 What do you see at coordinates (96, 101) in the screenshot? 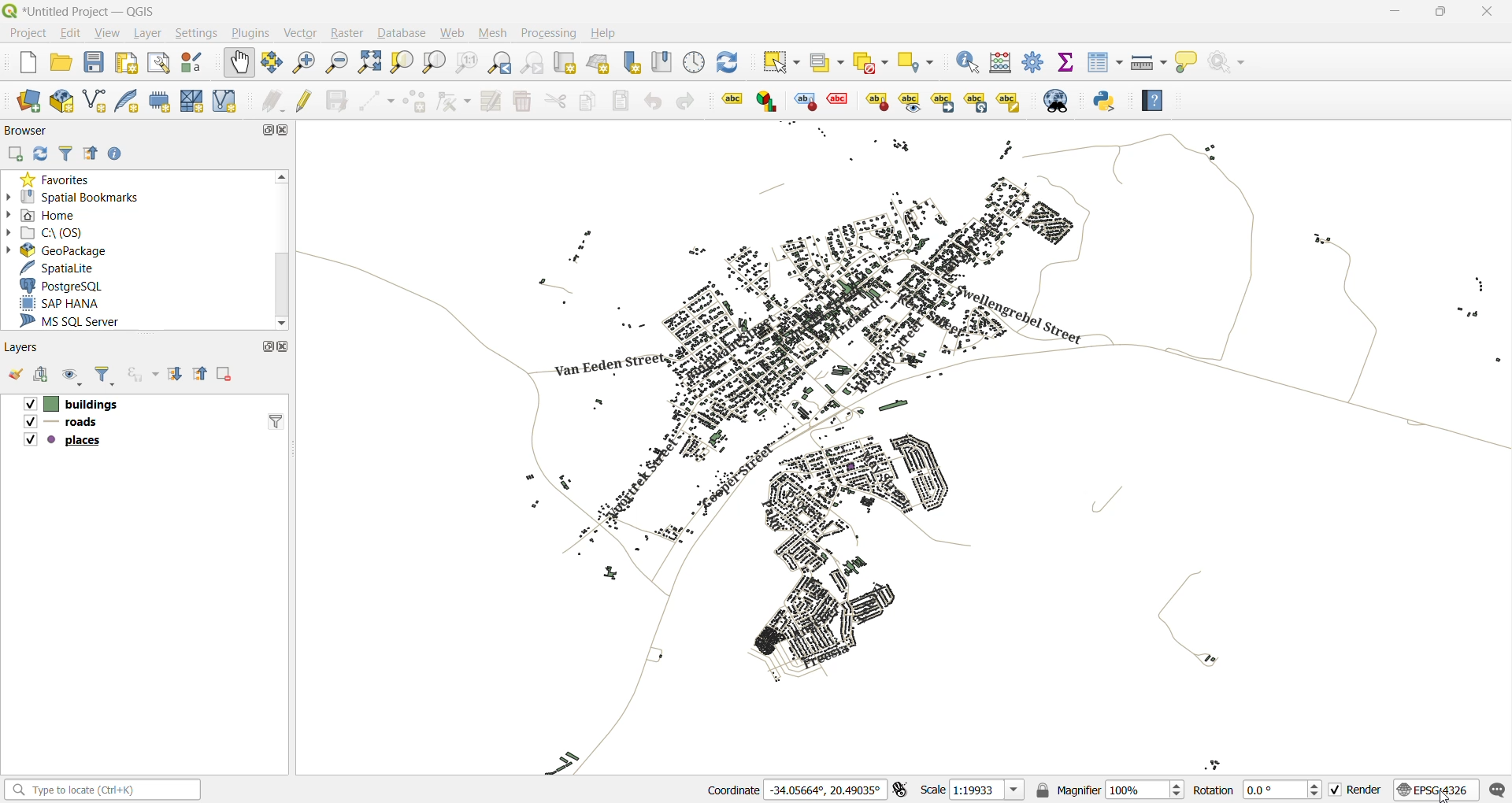
I see `new shapefile` at bounding box center [96, 101].